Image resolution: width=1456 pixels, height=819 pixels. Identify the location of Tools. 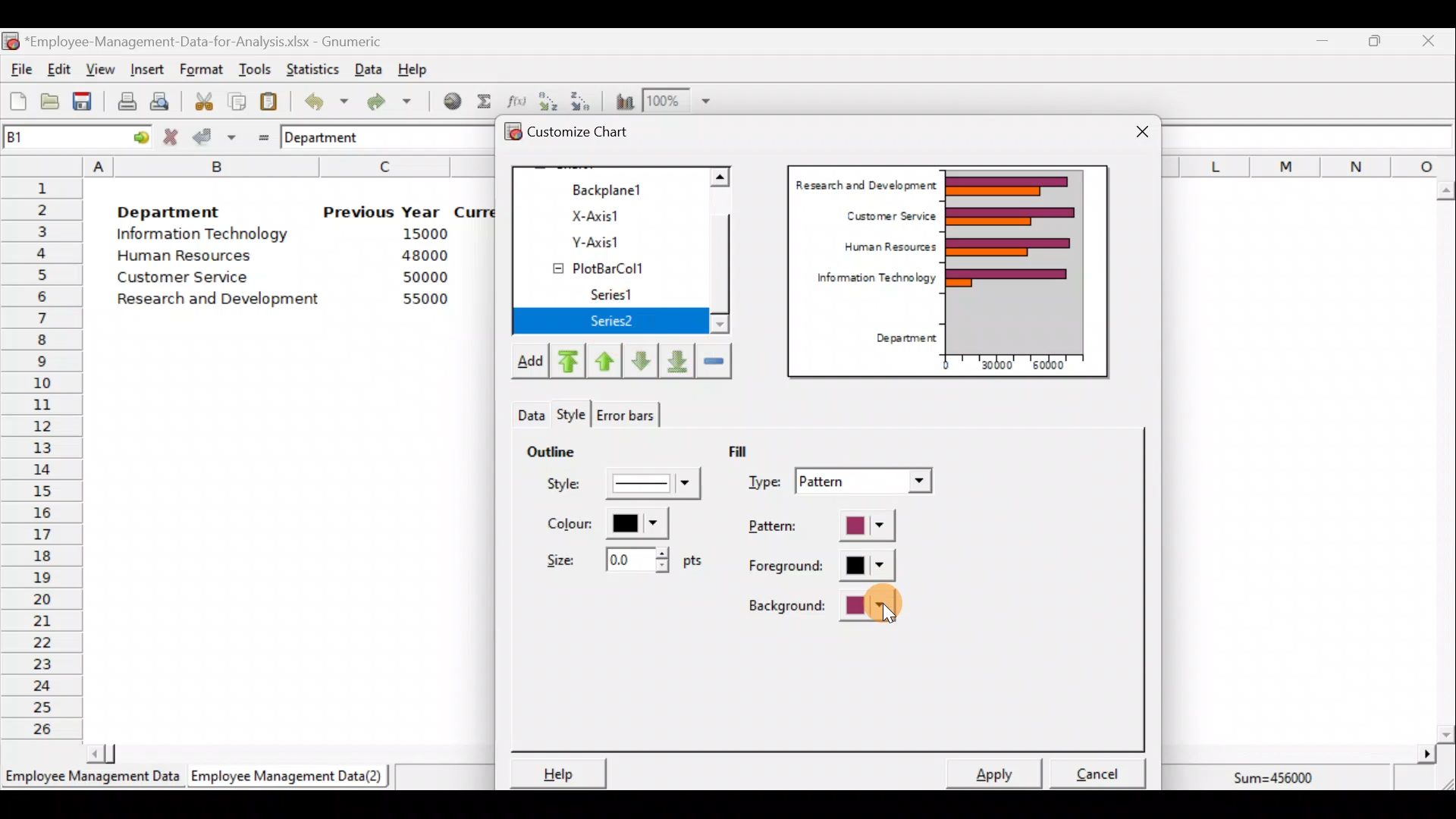
(254, 71).